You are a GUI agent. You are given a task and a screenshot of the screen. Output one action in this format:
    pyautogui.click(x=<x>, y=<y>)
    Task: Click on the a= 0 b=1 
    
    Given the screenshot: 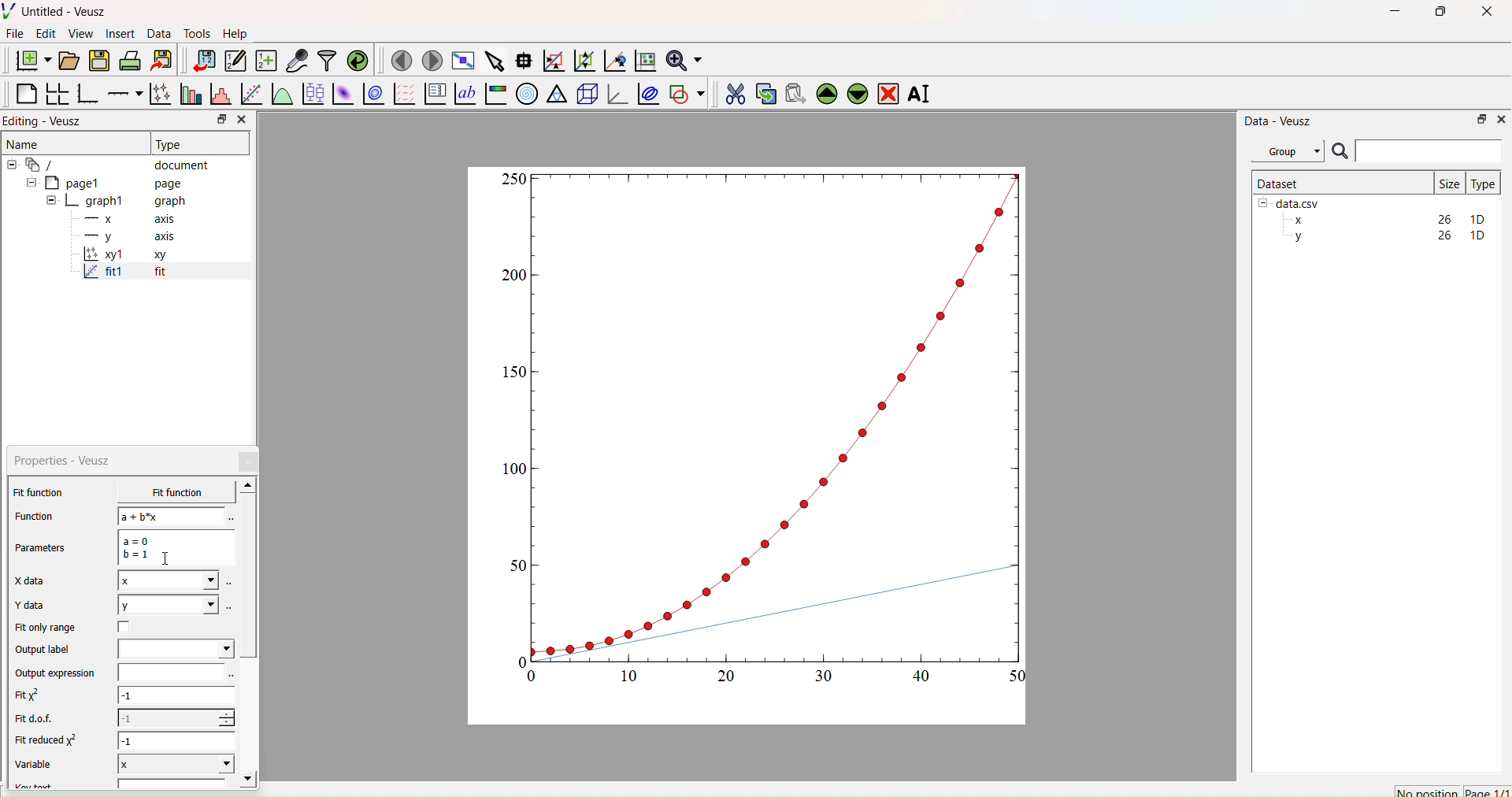 What is the action you would take?
    pyautogui.click(x=175, y=547)
    